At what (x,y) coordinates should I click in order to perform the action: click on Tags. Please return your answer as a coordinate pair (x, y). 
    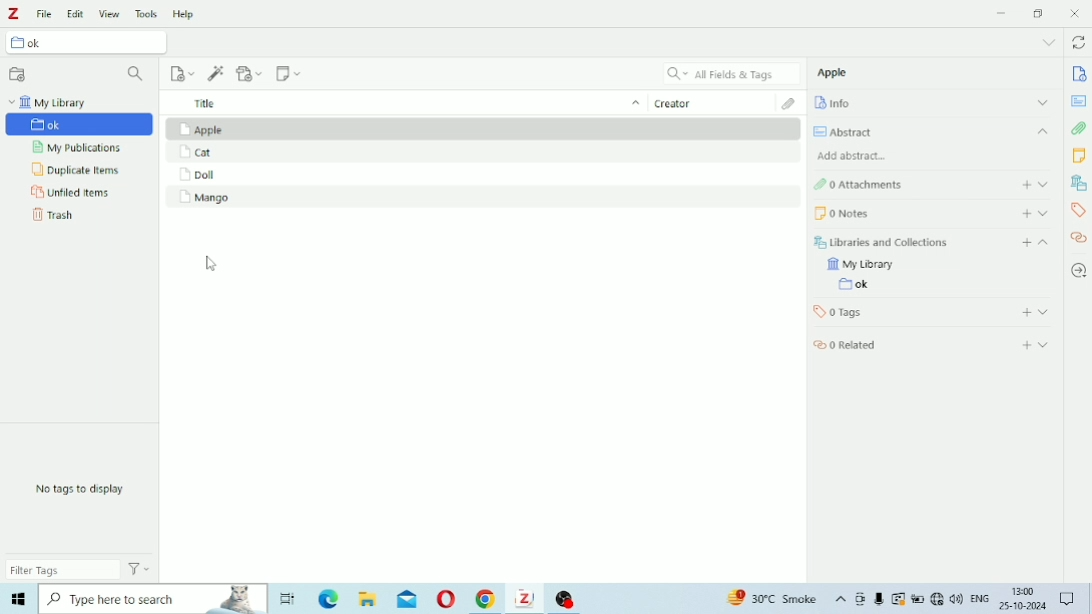
    Looking at the image, I should click on (837, 312).